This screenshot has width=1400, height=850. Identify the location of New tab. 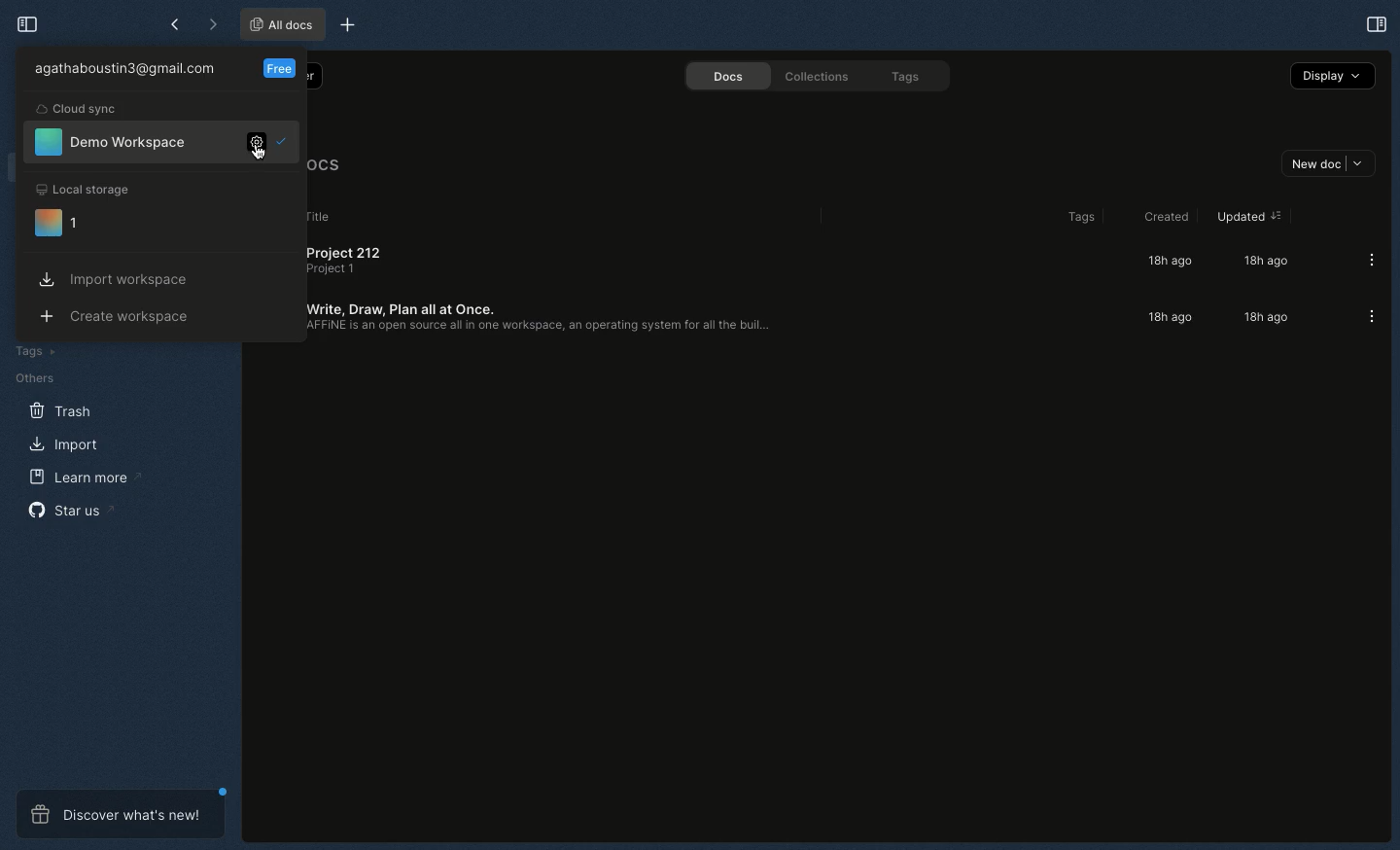
(346, 25).